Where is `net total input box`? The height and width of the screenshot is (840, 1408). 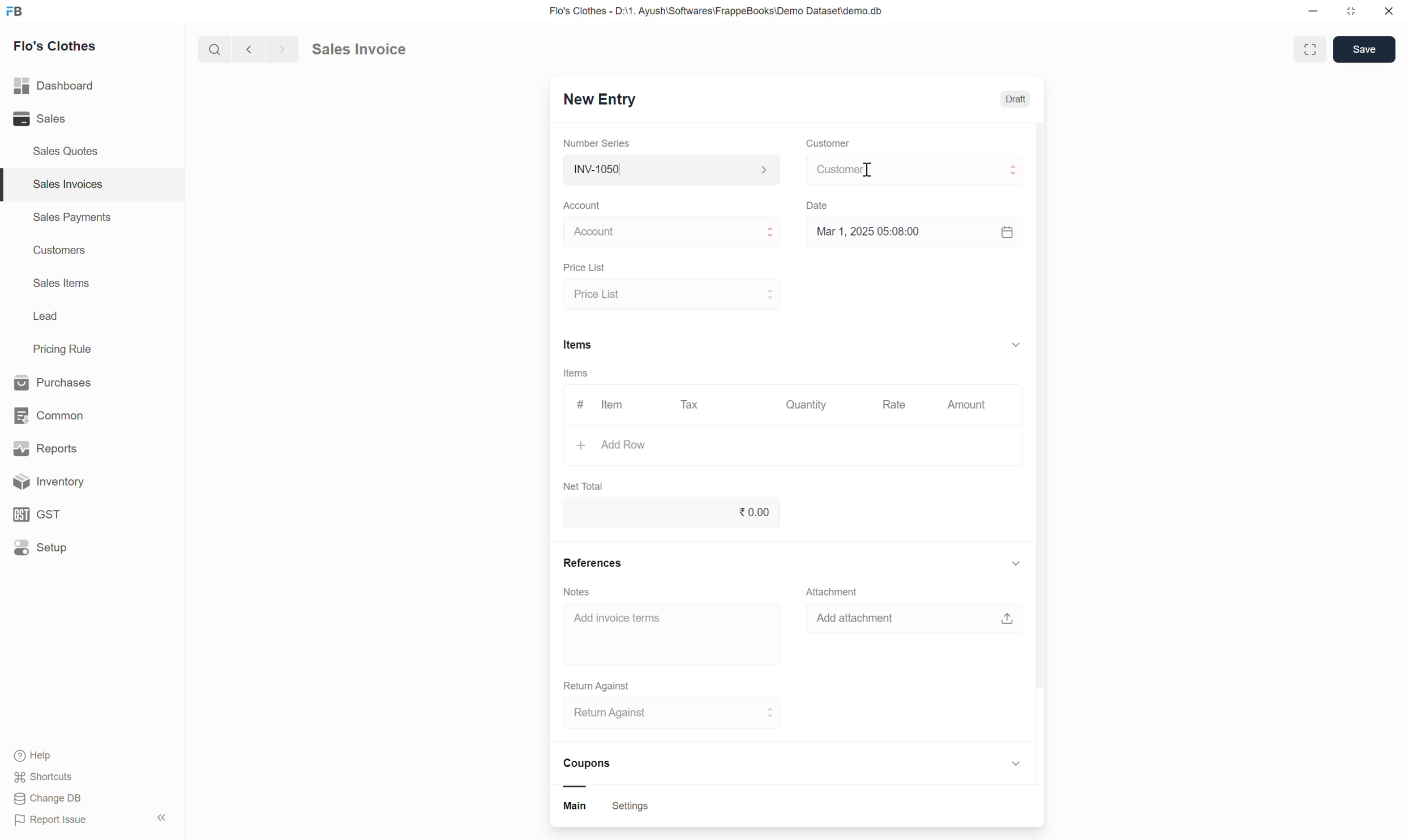
net total input box is located at coordinates (672, 516).